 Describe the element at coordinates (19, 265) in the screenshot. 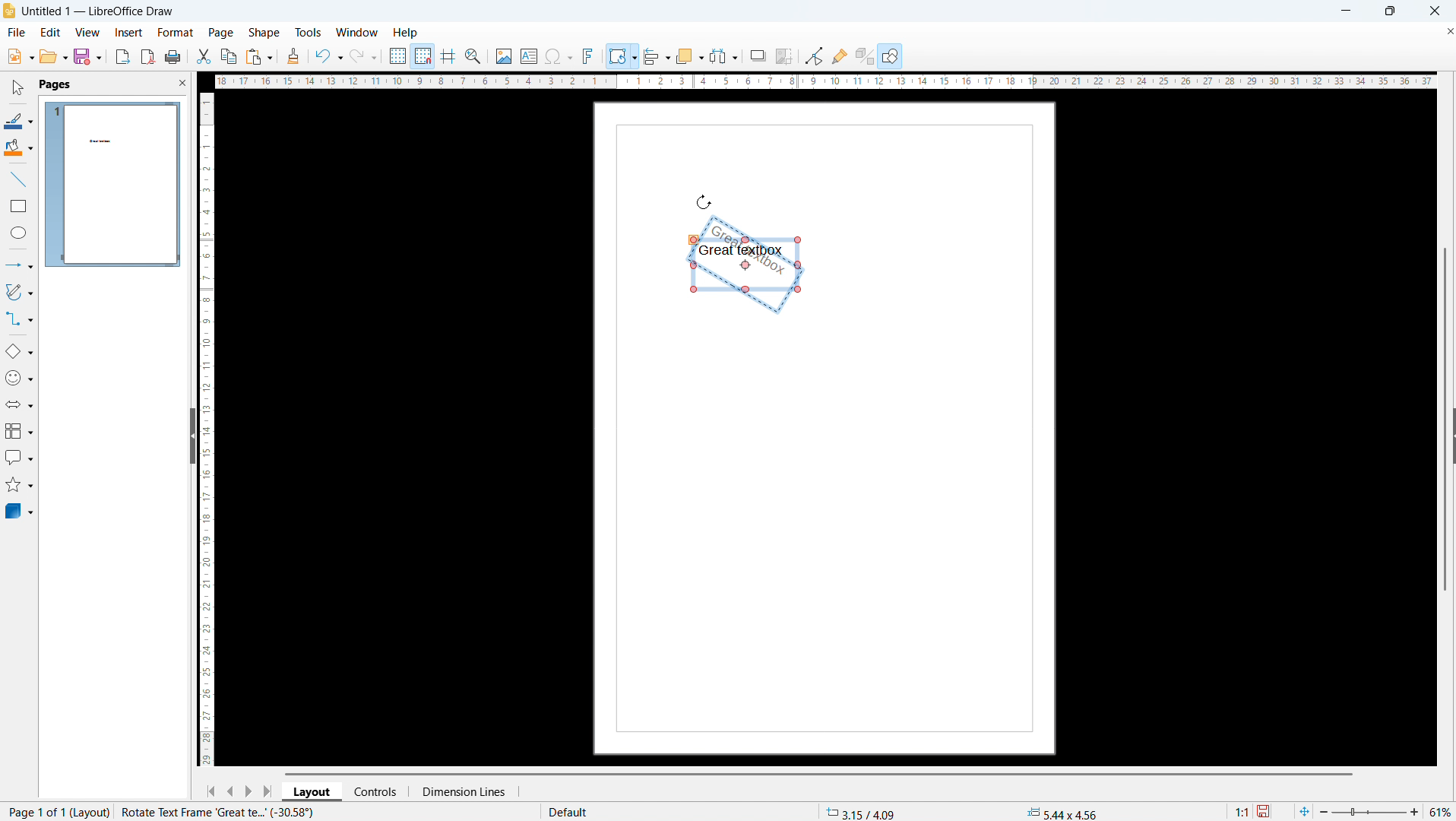

I see `lines and arrows` at that location.